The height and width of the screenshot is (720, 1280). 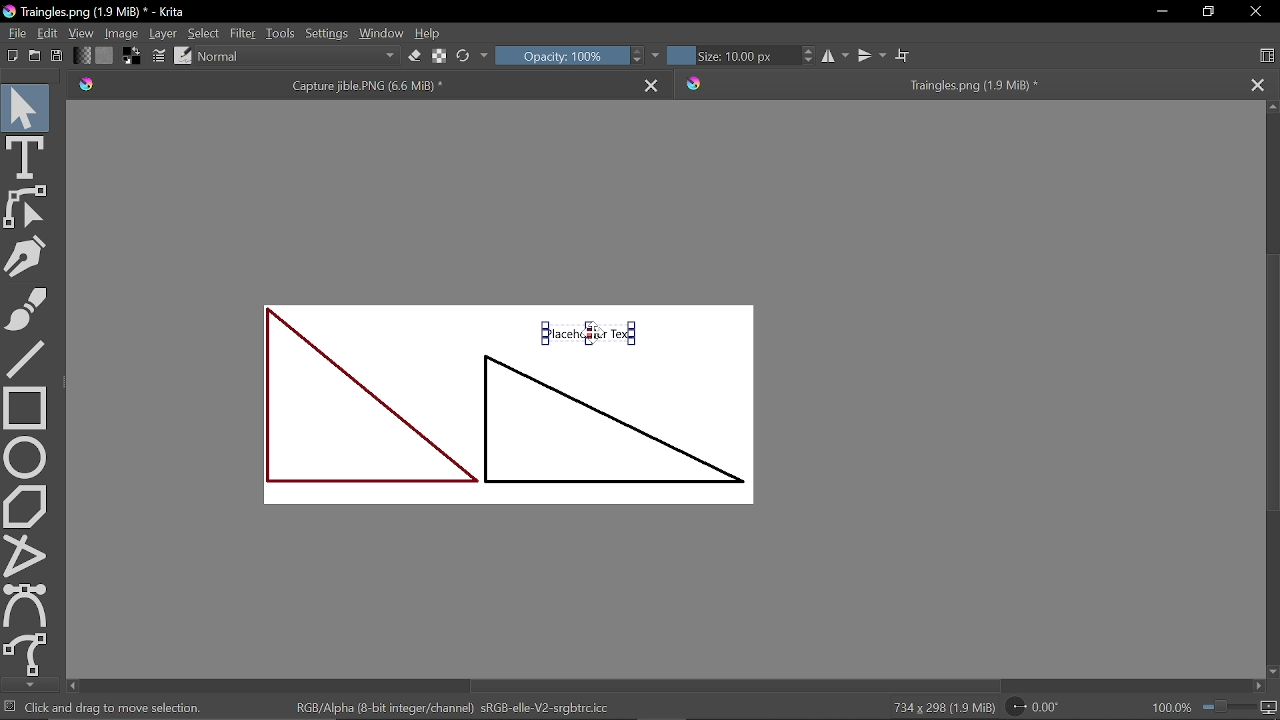 What do you see at coordinates (54, 57) in the screenshot?
I see `Save` at bounding box center [54, 57].